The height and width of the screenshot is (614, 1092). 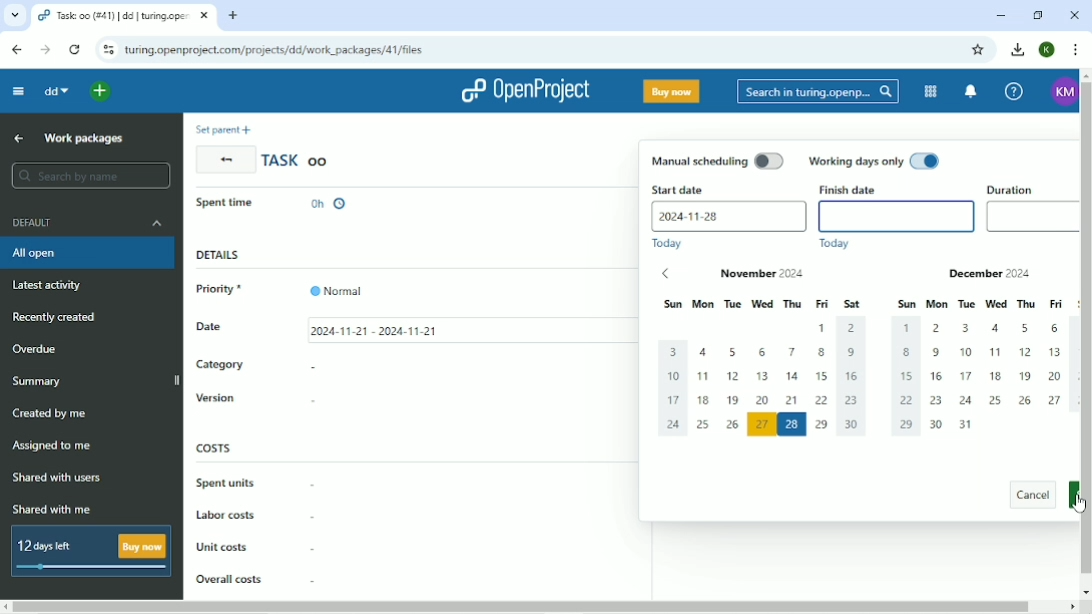 What do you see at coordinates (394, 329) in the screenshot?
I see `2024-11-21 - 2024-11-21` at bounding box center [394, 329].